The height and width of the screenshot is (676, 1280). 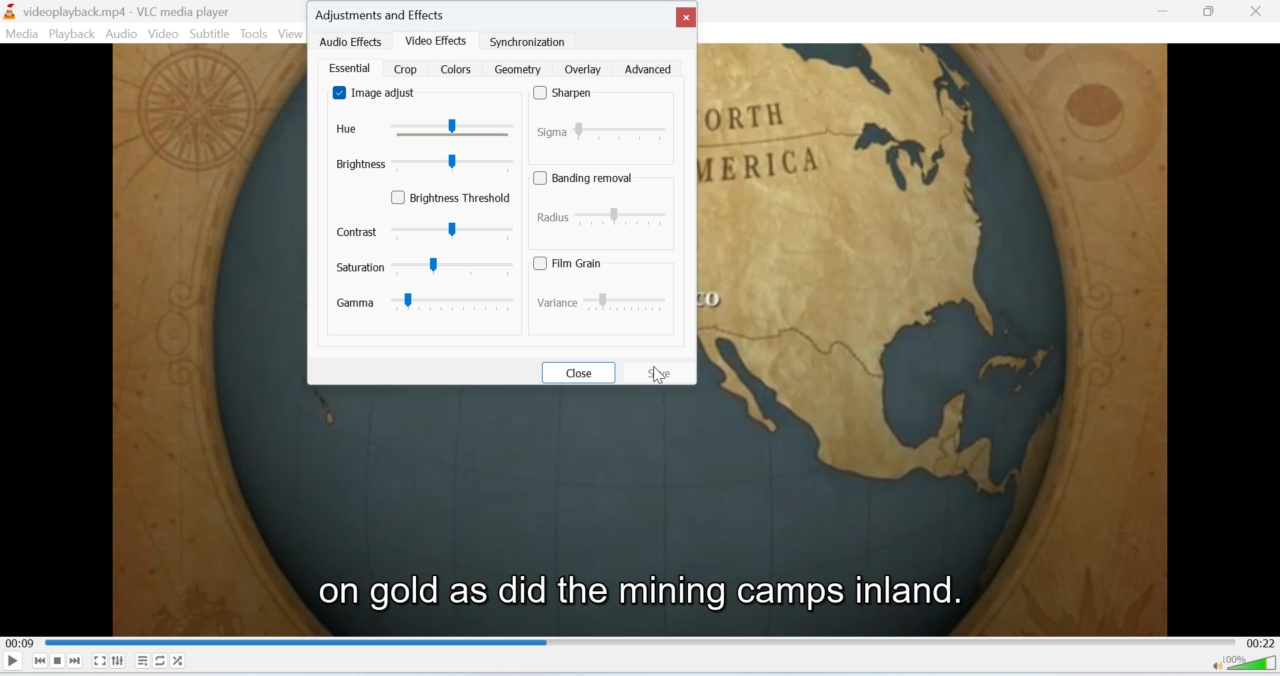 I want to click on image adjust, so click(x=379, y=93).